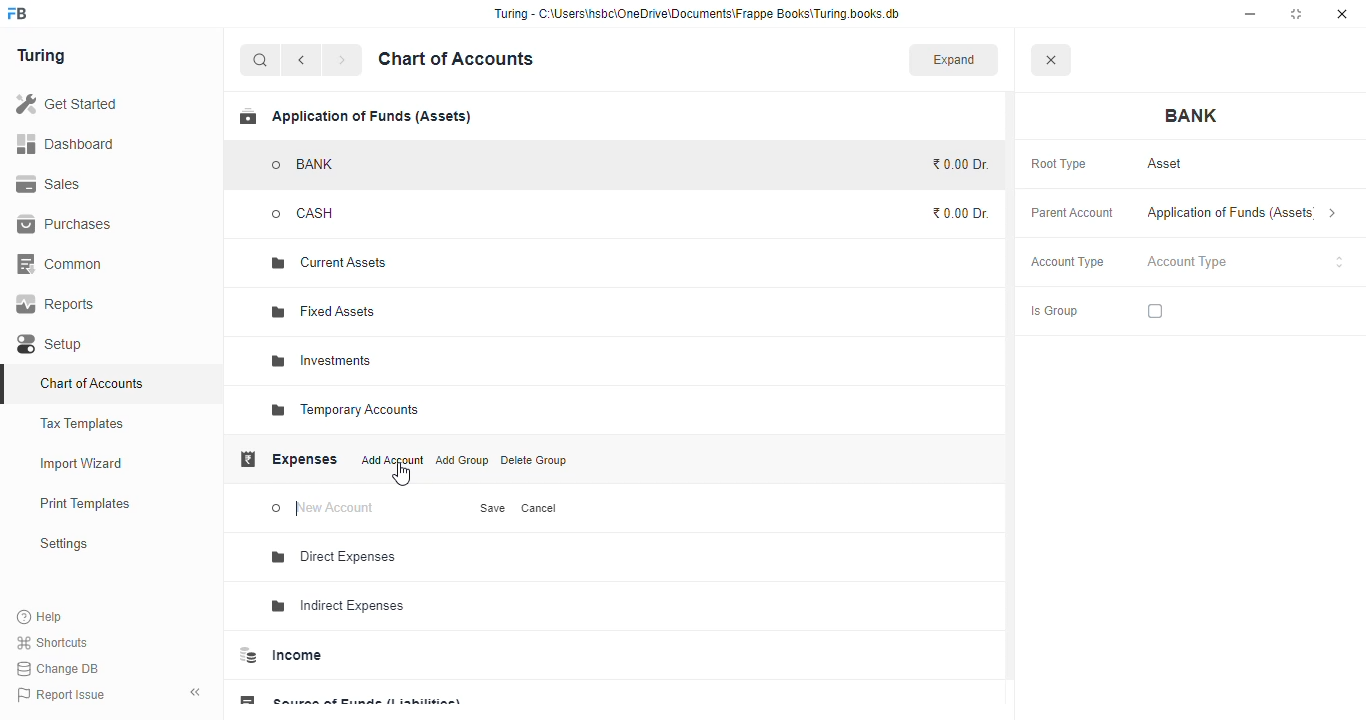 This screenshot has height=720, width=1366. Describe the element at coordinates (344, 410) in the screenshot. I see `temporary accounts` at that location.